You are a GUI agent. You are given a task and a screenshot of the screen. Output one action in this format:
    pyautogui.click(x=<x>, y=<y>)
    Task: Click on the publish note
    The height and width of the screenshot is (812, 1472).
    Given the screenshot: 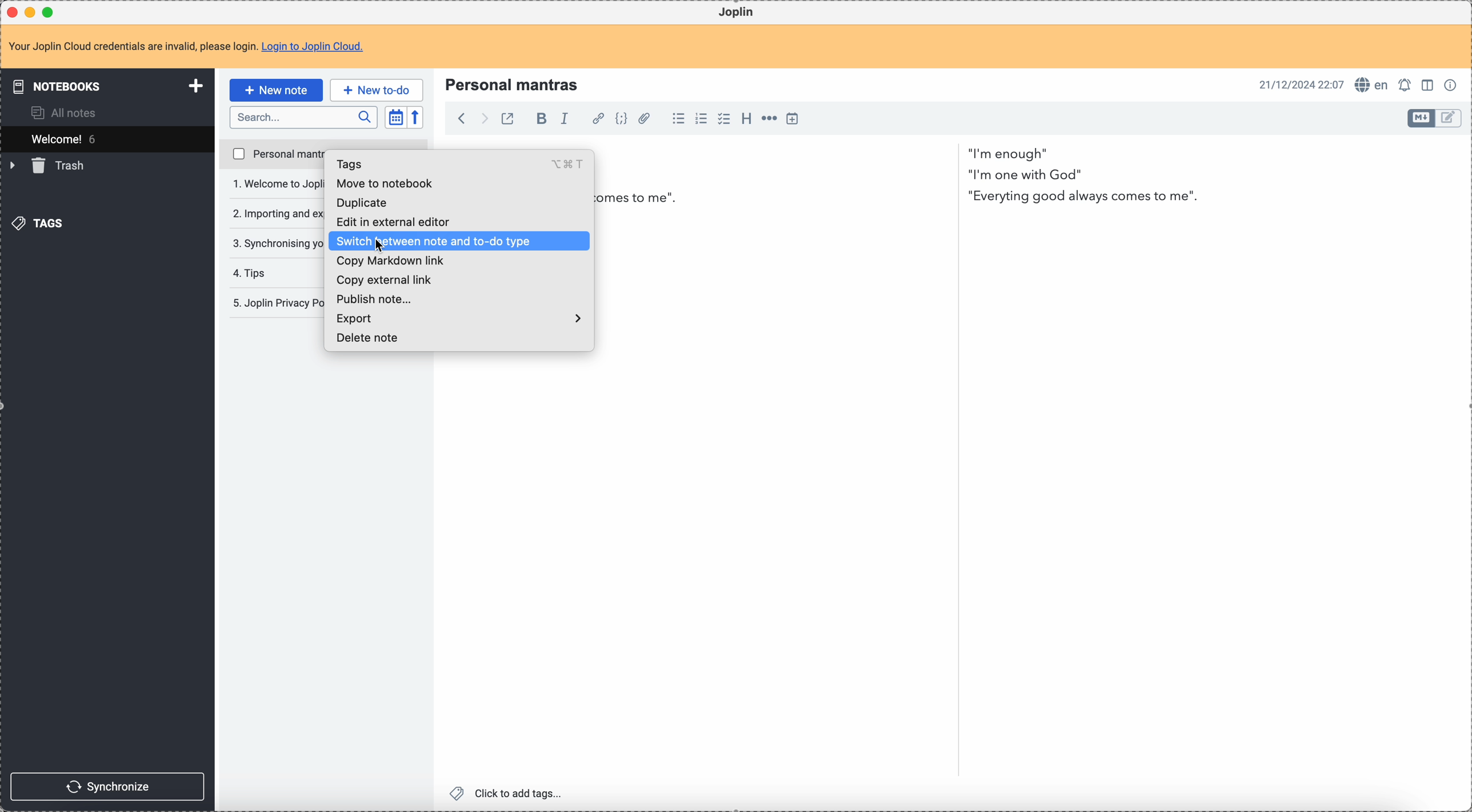 What is the action you would take?
    pyautogui.click(x=374, y=297)
    